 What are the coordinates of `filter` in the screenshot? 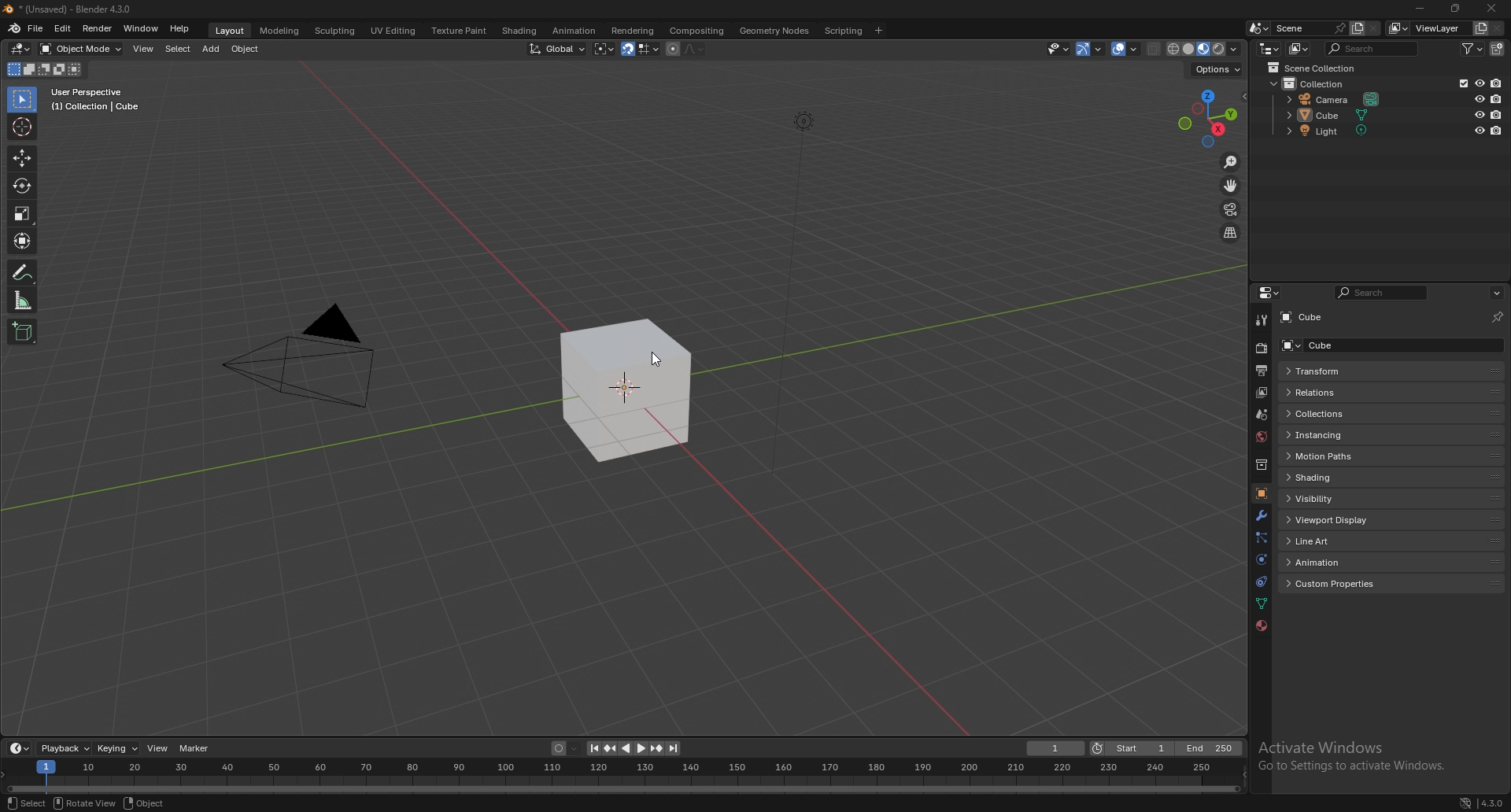 It's located at (1476, 48).